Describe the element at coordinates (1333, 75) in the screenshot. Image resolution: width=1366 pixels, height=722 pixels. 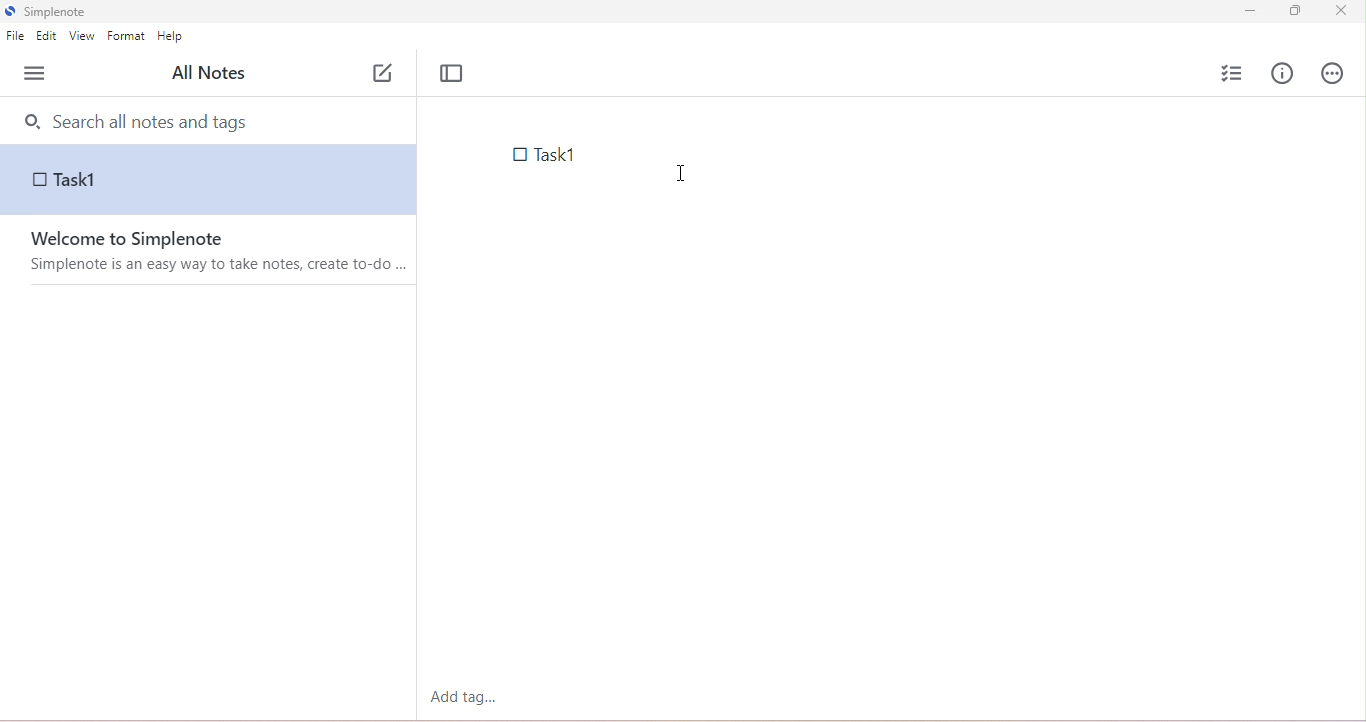
I see `actions` at that location.